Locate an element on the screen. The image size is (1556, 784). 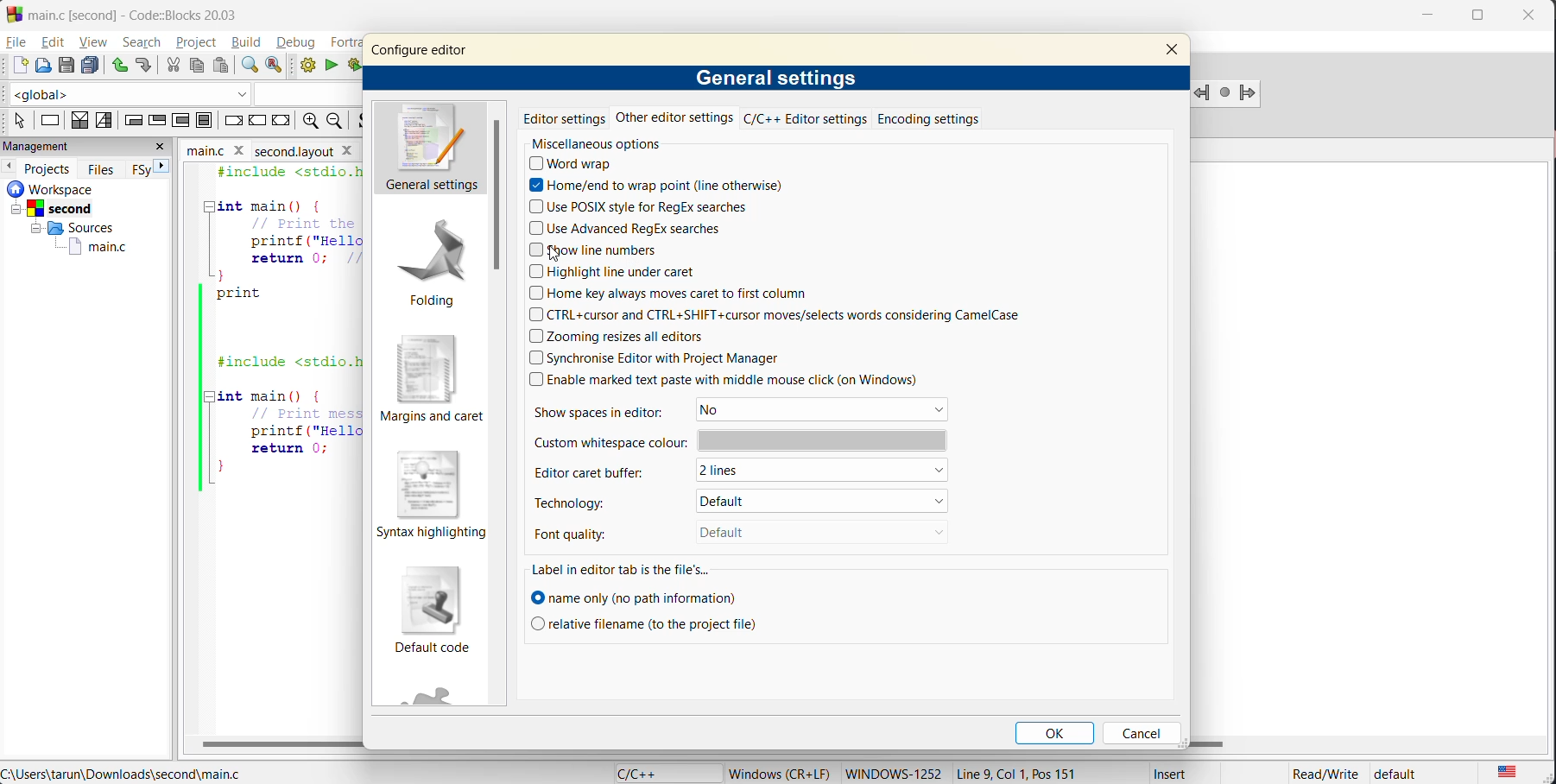
main is located at coordinates (201, 149).